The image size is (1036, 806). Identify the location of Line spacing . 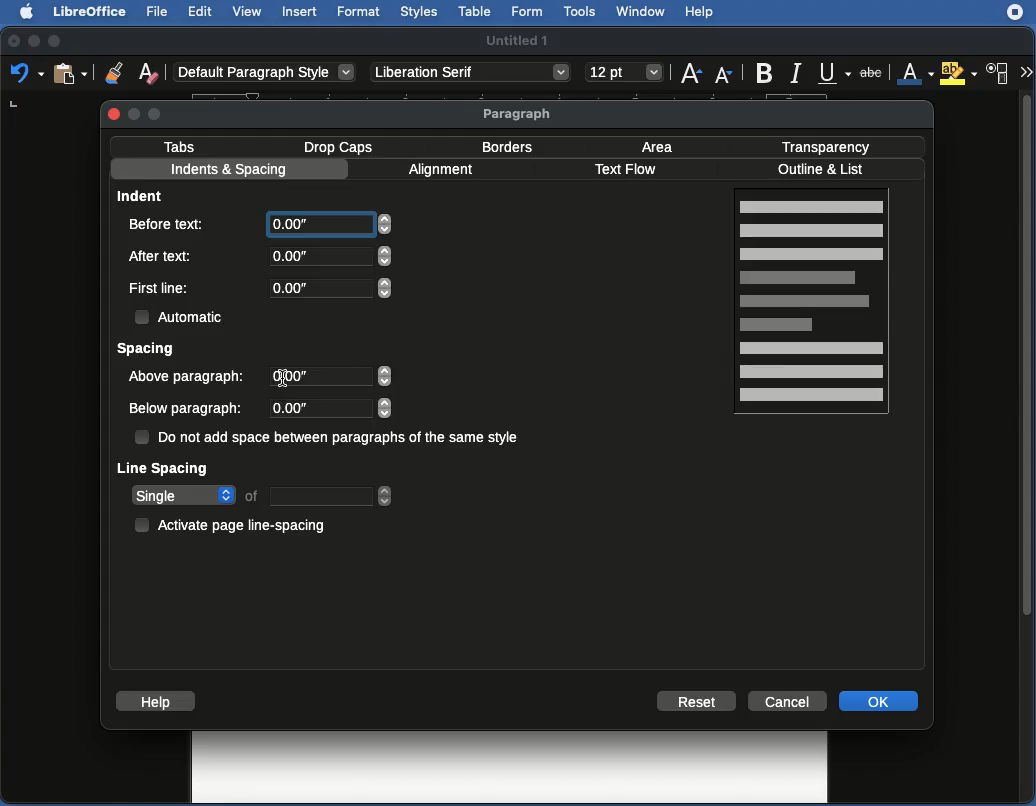
(164, 467).